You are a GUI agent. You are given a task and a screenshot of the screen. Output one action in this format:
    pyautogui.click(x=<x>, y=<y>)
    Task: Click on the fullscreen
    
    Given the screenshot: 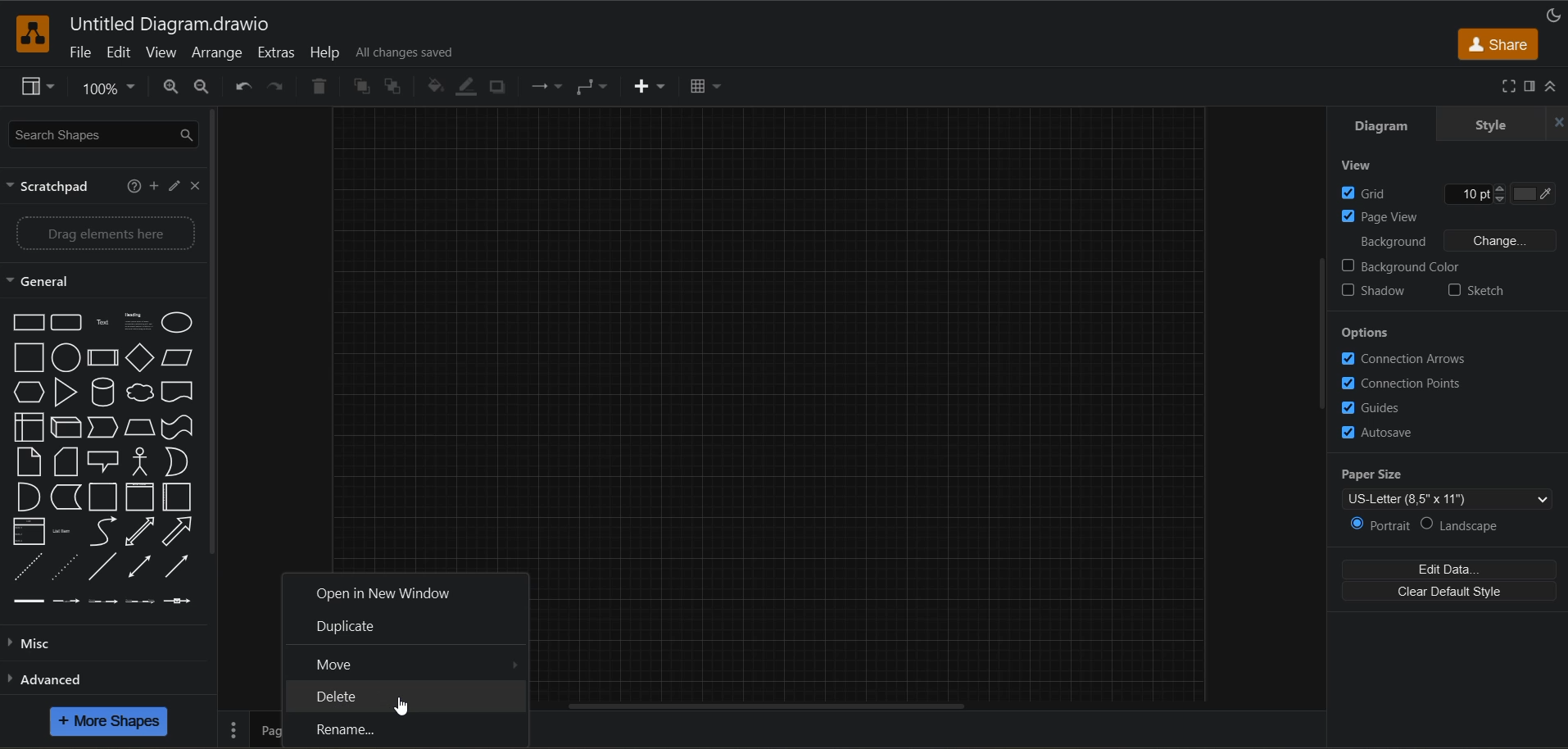 What is the action you would take?
    pyautogui.click(x=1507, y=86)
    